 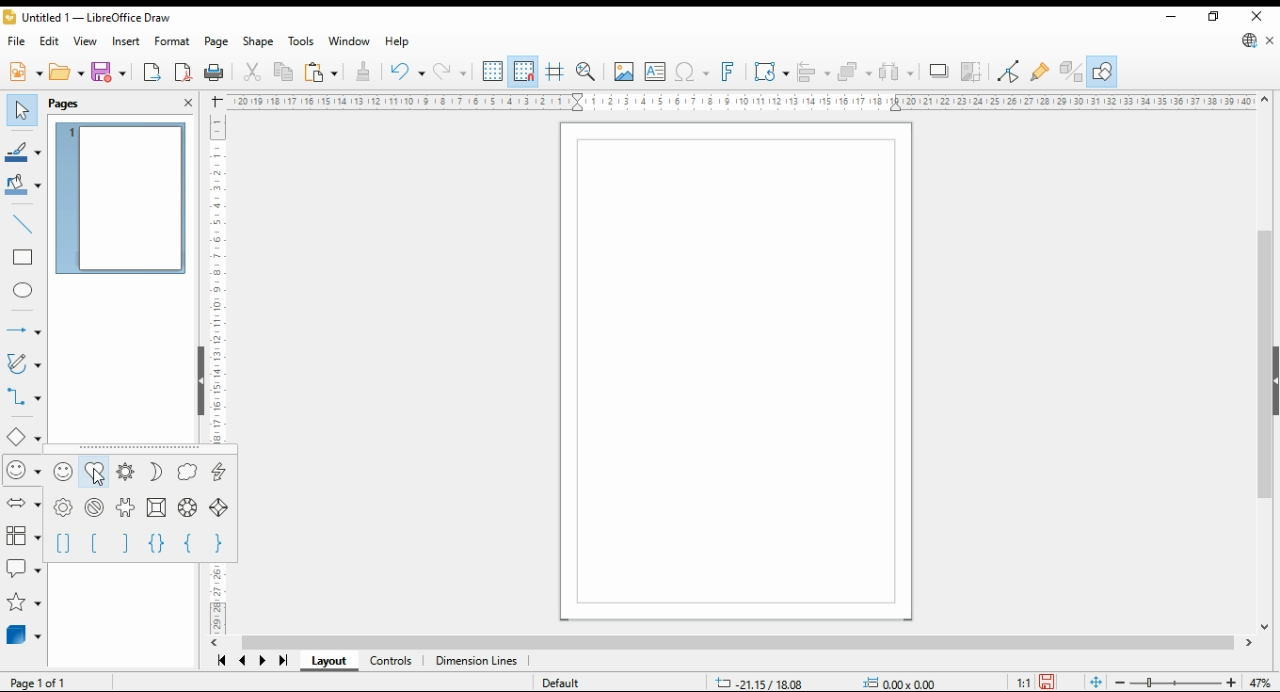 I want to click on first page, so click(x=222, y=661).